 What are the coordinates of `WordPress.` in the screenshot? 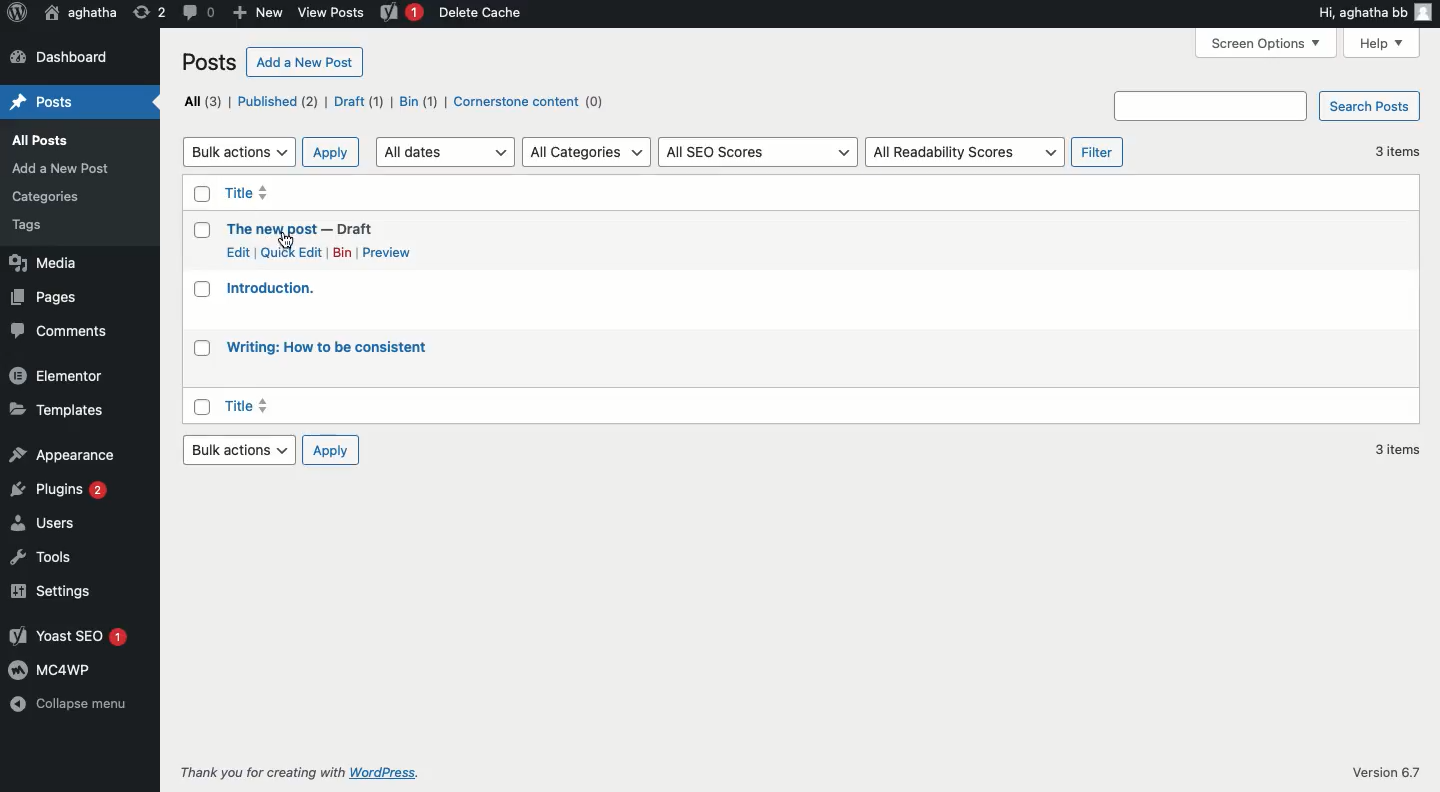 It's located at (386, 771).